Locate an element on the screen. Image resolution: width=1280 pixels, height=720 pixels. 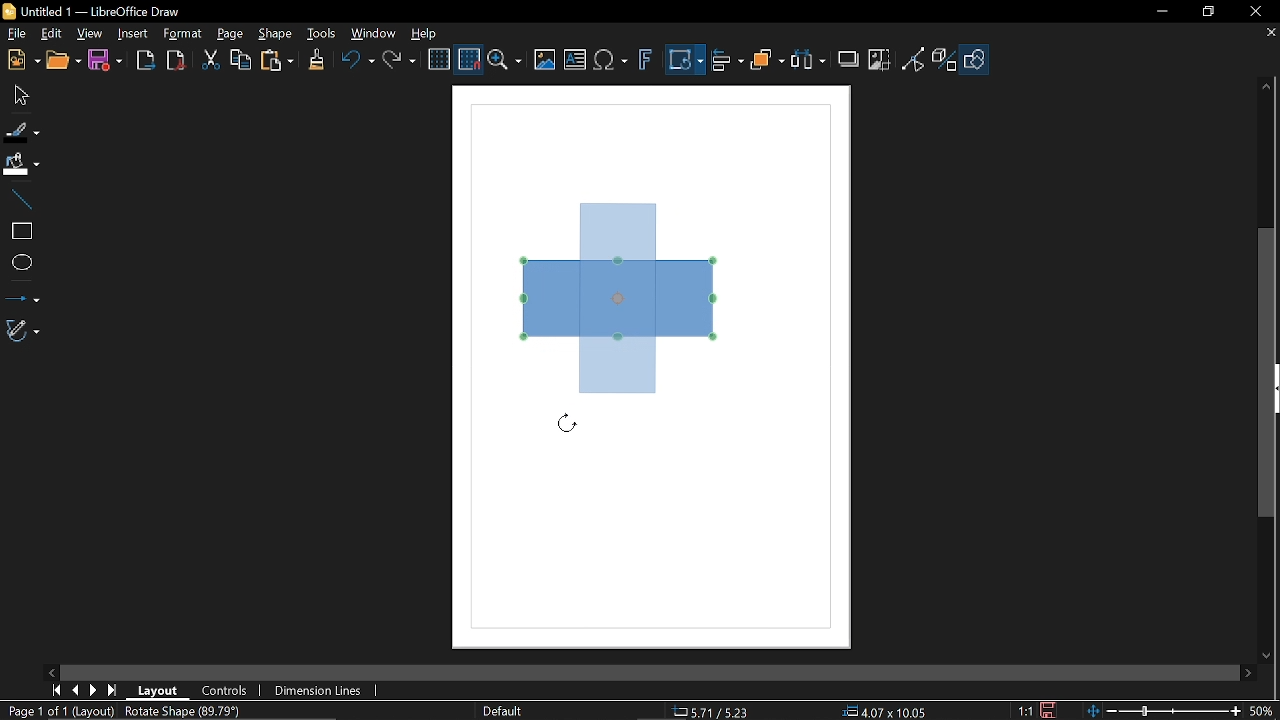
Ellipse is located at coordinates (21, 264).